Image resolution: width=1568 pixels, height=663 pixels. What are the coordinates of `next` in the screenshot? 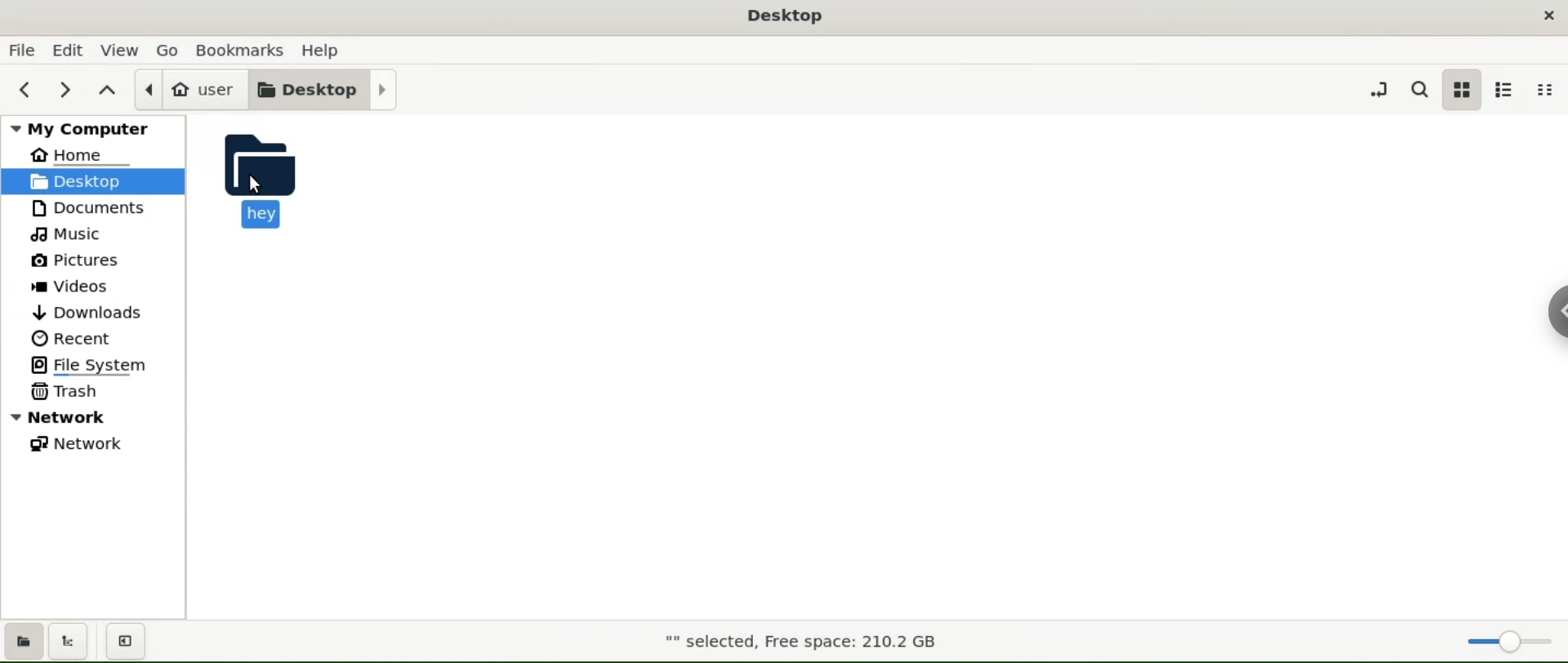 It's located at (64, 88).